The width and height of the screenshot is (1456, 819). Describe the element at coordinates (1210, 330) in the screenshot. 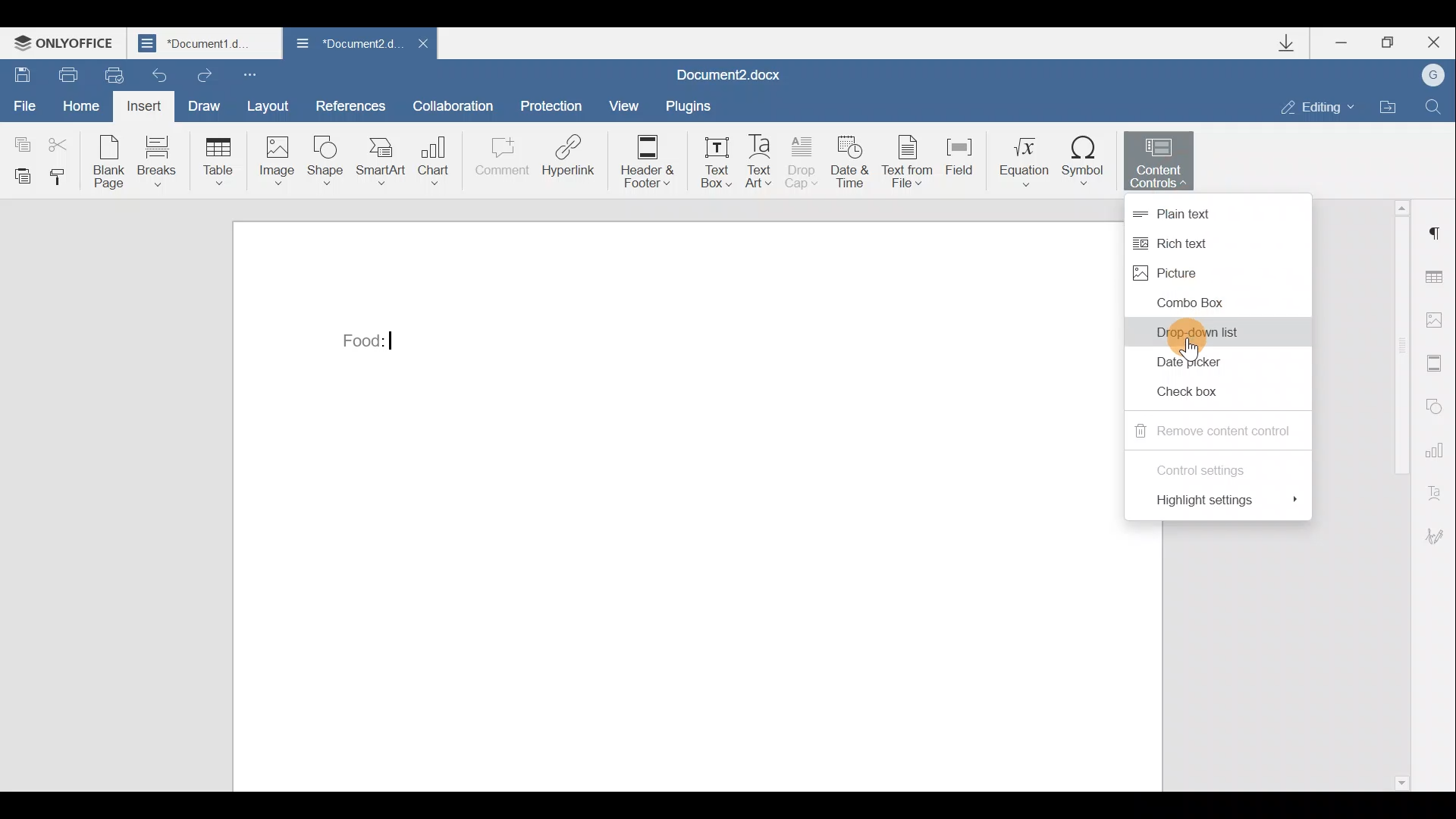

I see `Drop-down list` at that location.